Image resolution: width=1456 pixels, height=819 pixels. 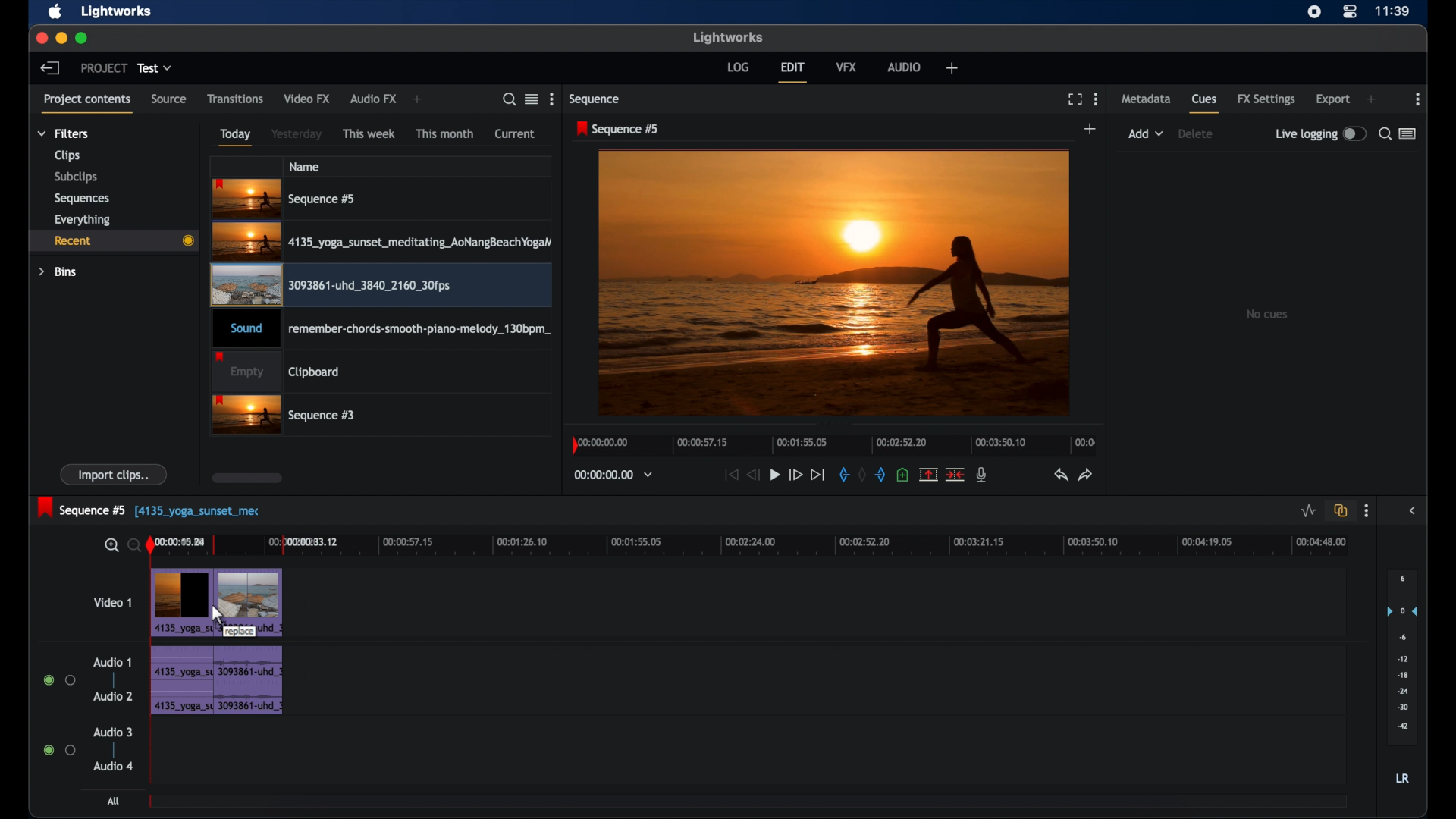 What do you see at coordinates (928, 475) in the screenshot?
I see `remove  marked section` at bounding box center [928, 475].